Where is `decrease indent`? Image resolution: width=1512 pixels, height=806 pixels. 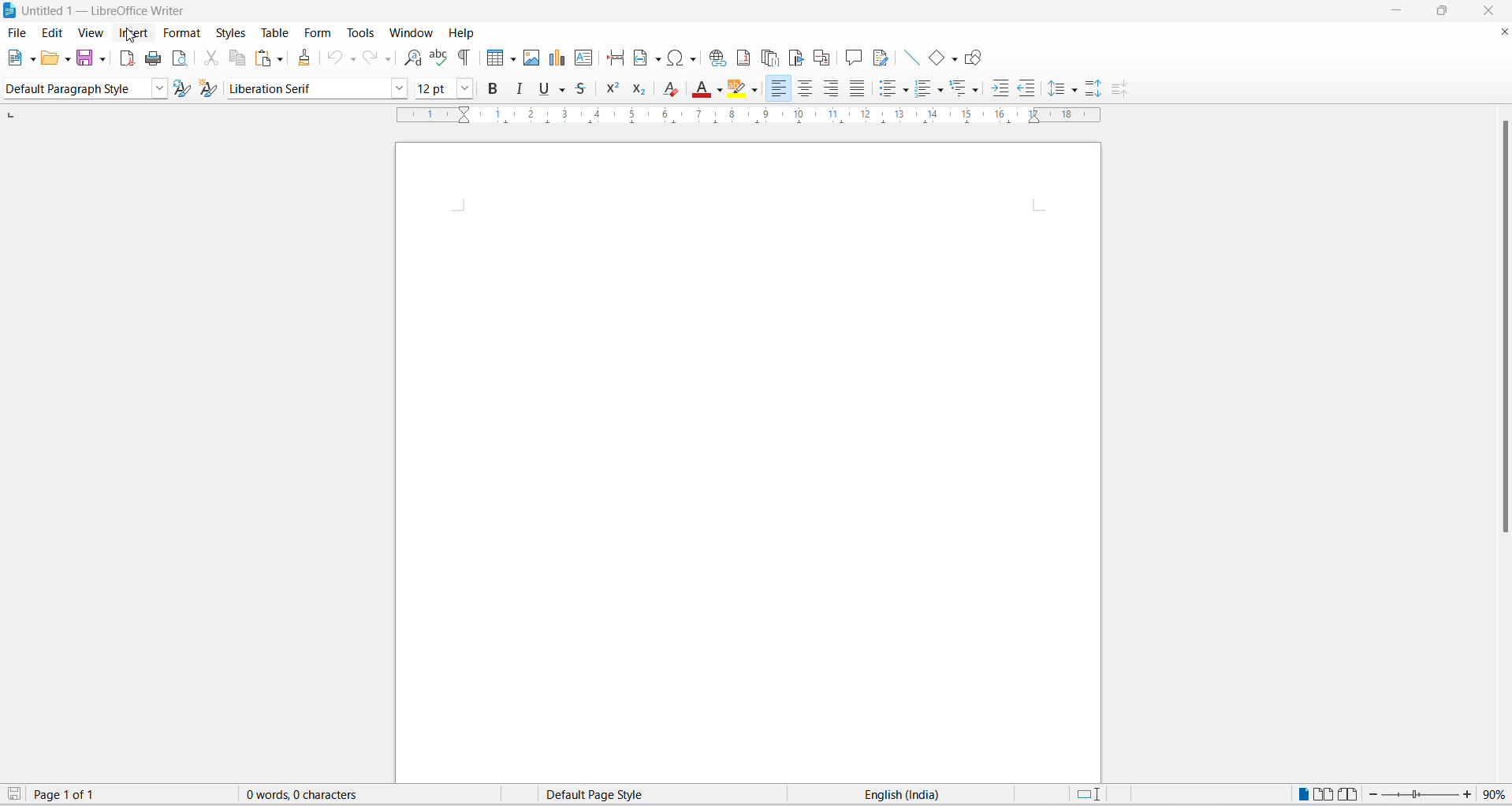
decrease indent is located at coordinates (1029, 88).